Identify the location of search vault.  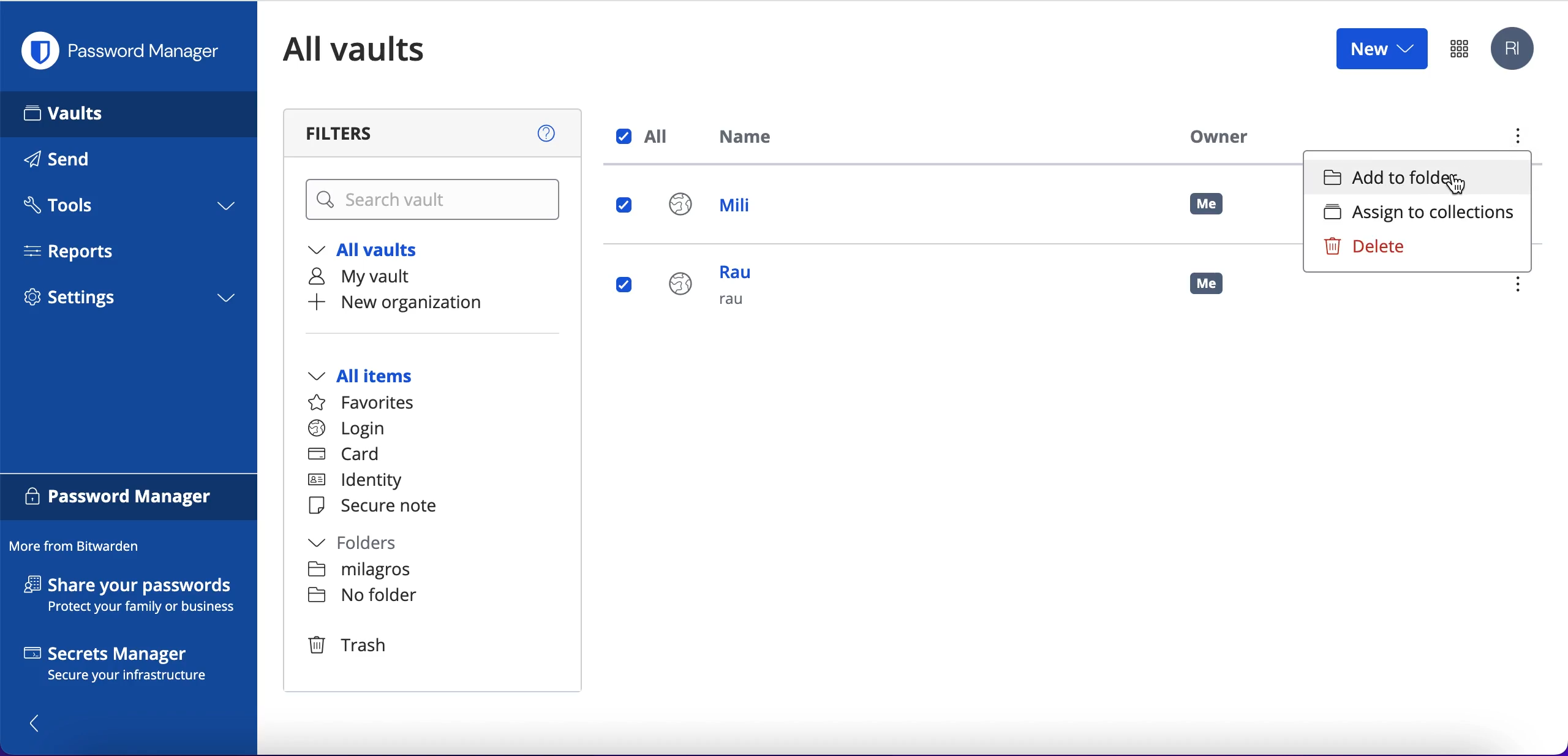
(435, 200).